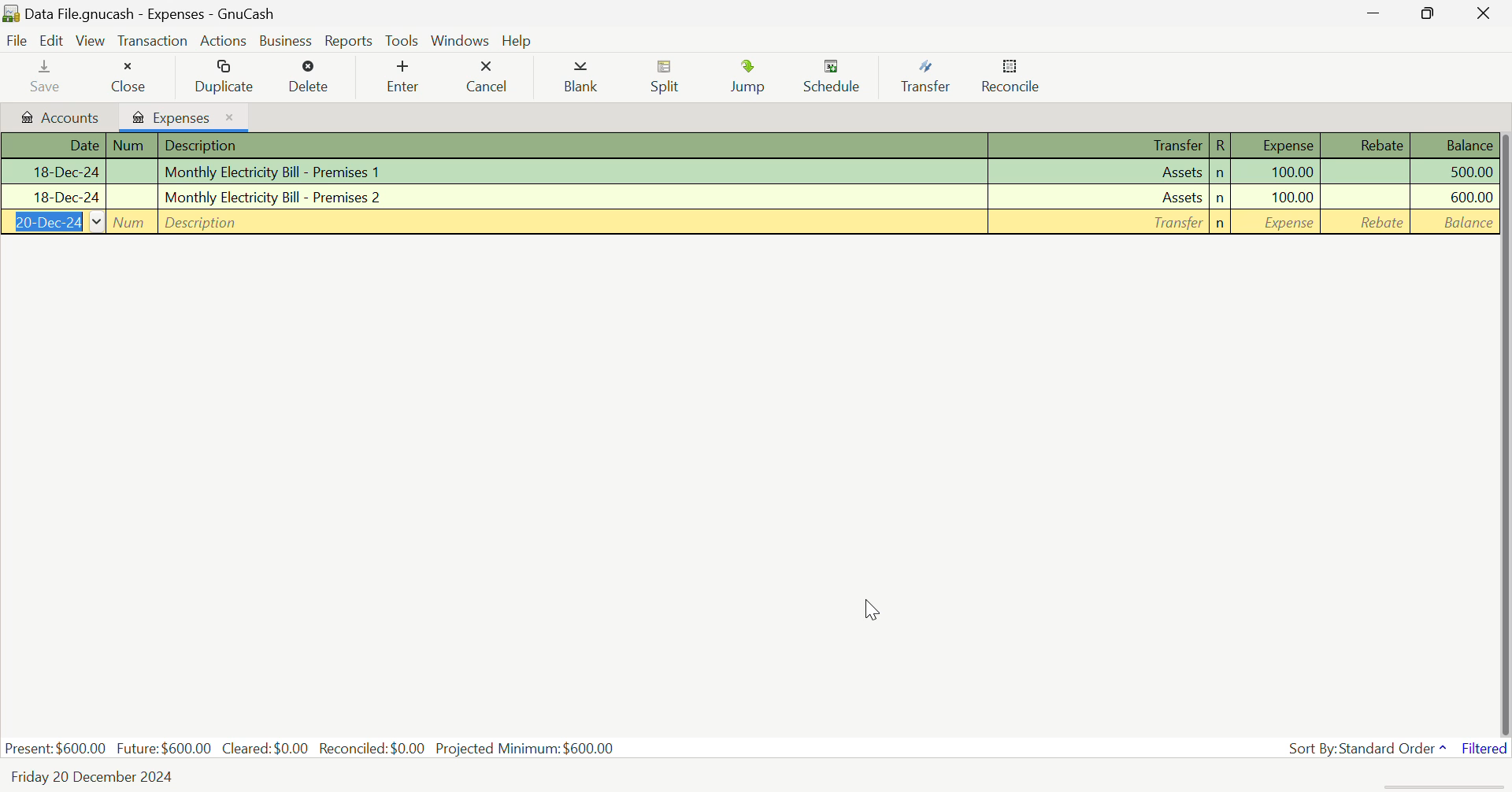  I want to click on Rebate, so click(1365, 196).